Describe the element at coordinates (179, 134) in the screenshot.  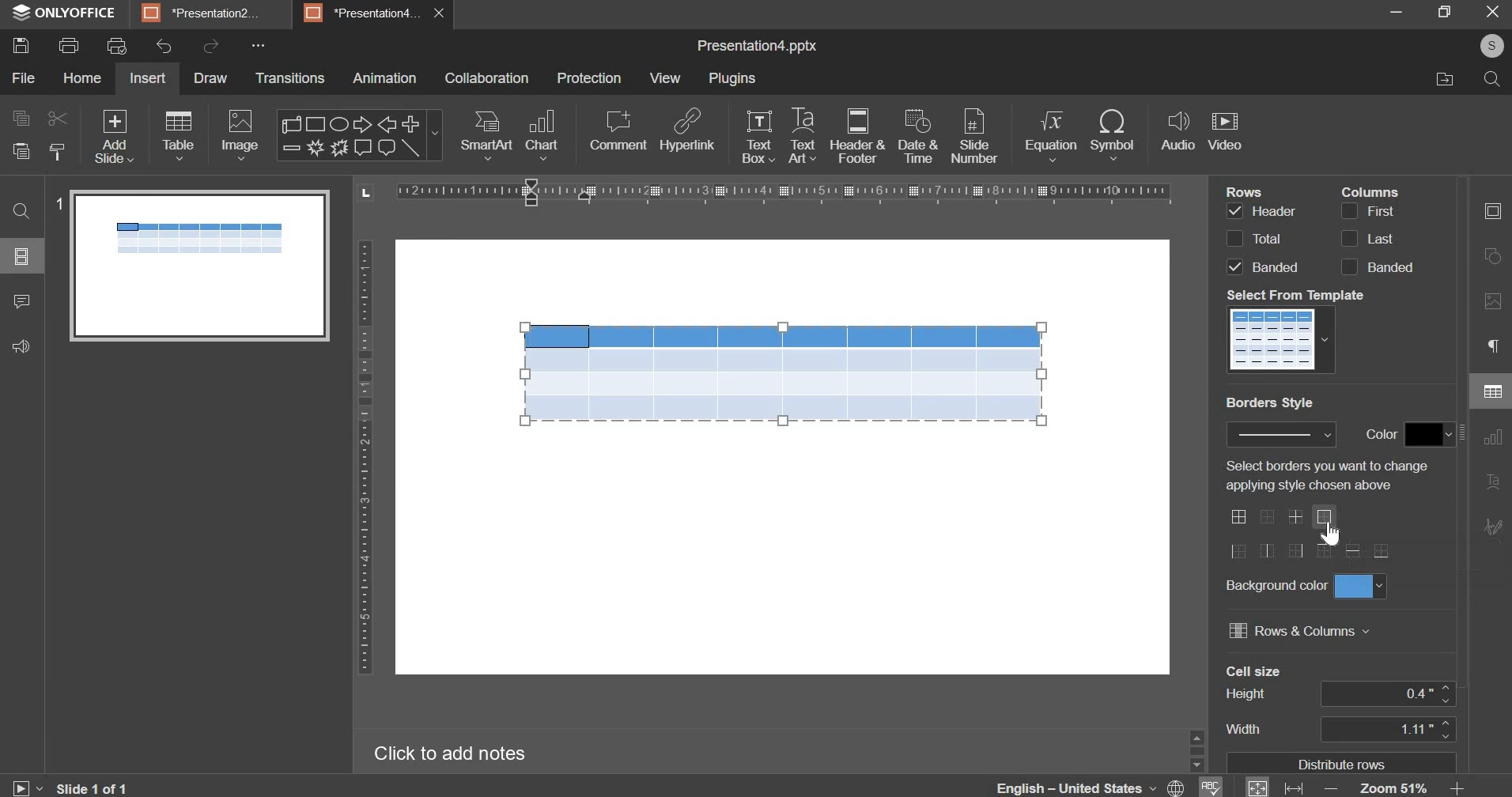
I see `tables` at that location.